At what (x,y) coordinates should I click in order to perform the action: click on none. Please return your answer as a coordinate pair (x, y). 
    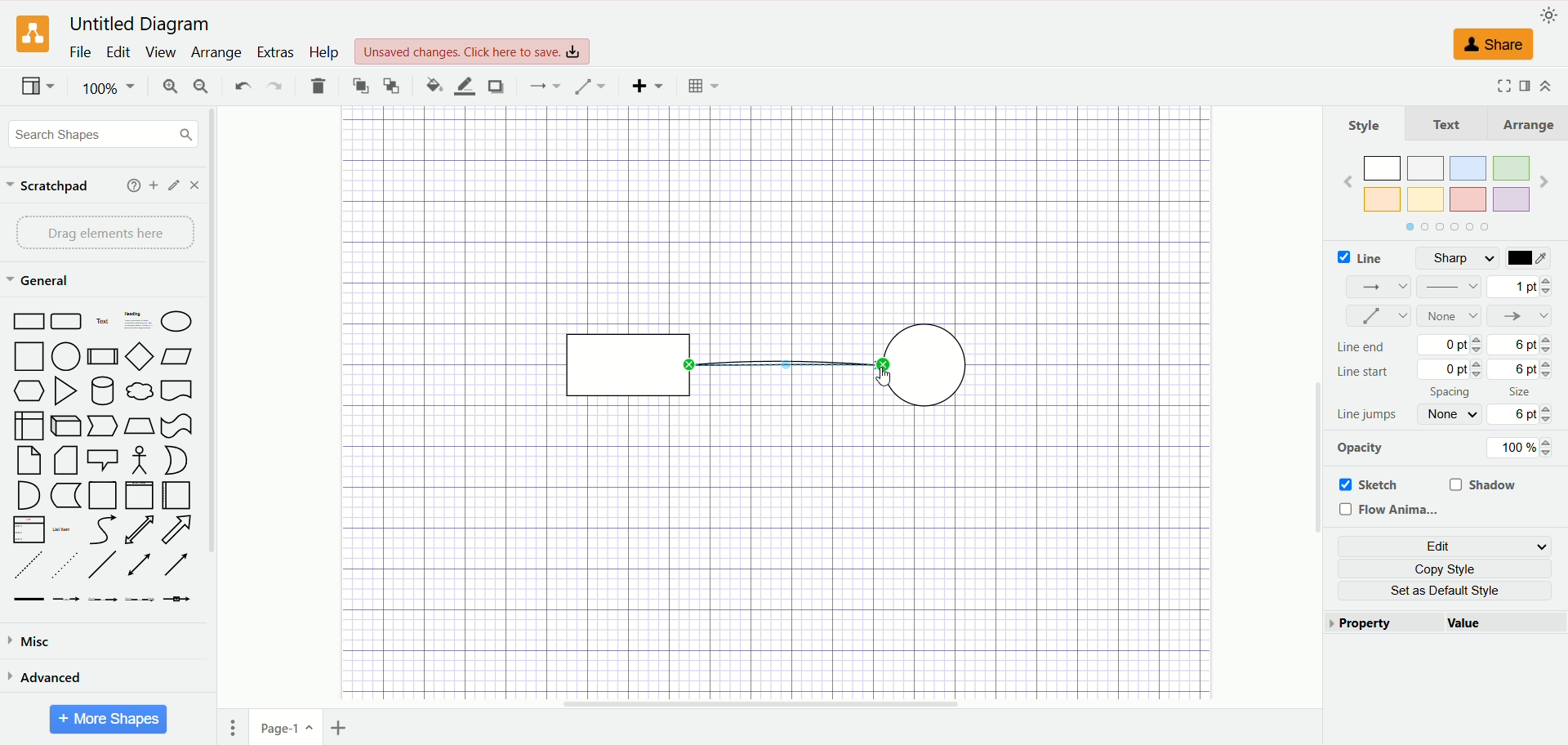
    Looking at the image, I should click on (1450, 315).